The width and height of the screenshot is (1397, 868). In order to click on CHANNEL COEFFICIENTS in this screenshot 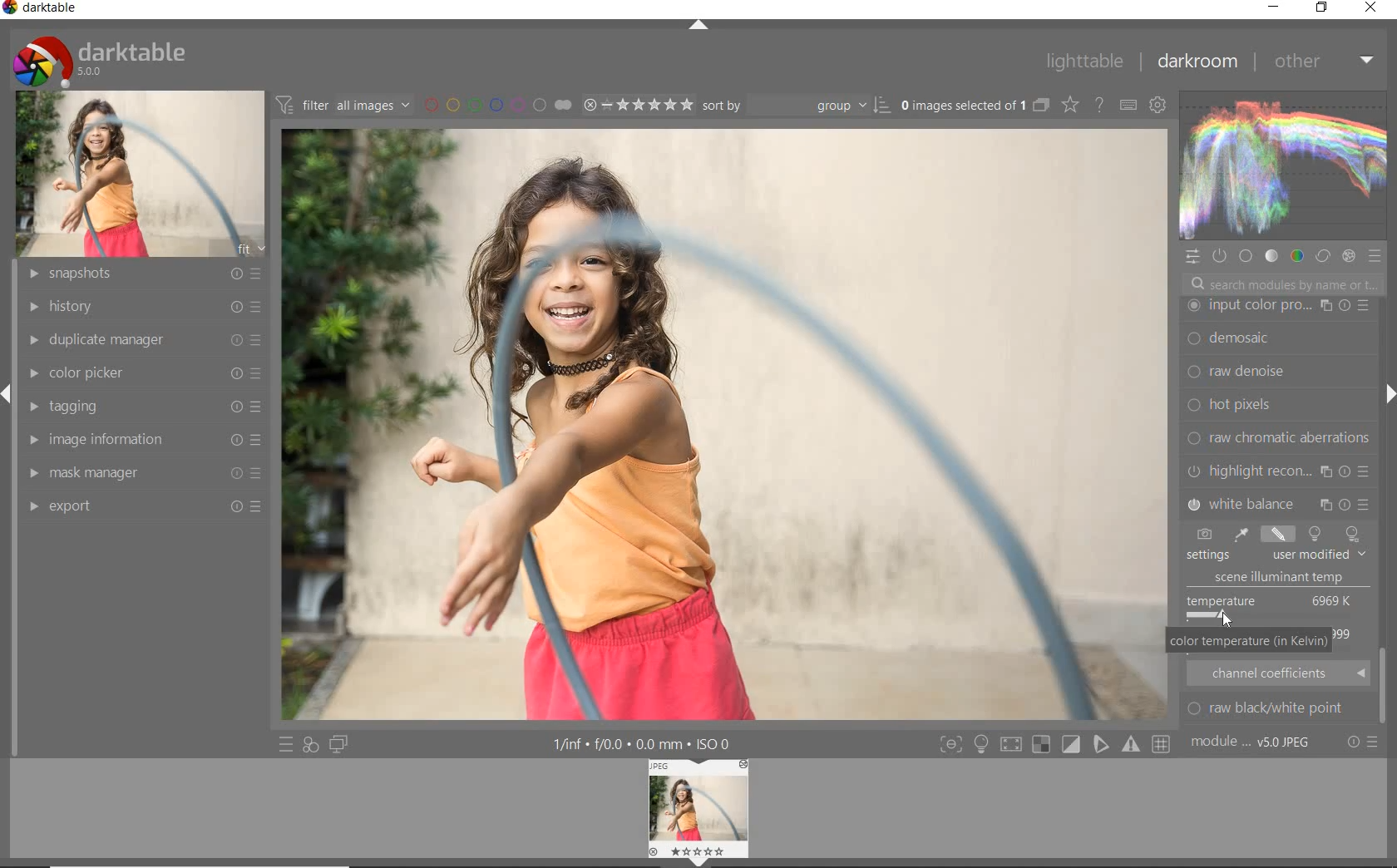, I will do `click(1279, 673)`.